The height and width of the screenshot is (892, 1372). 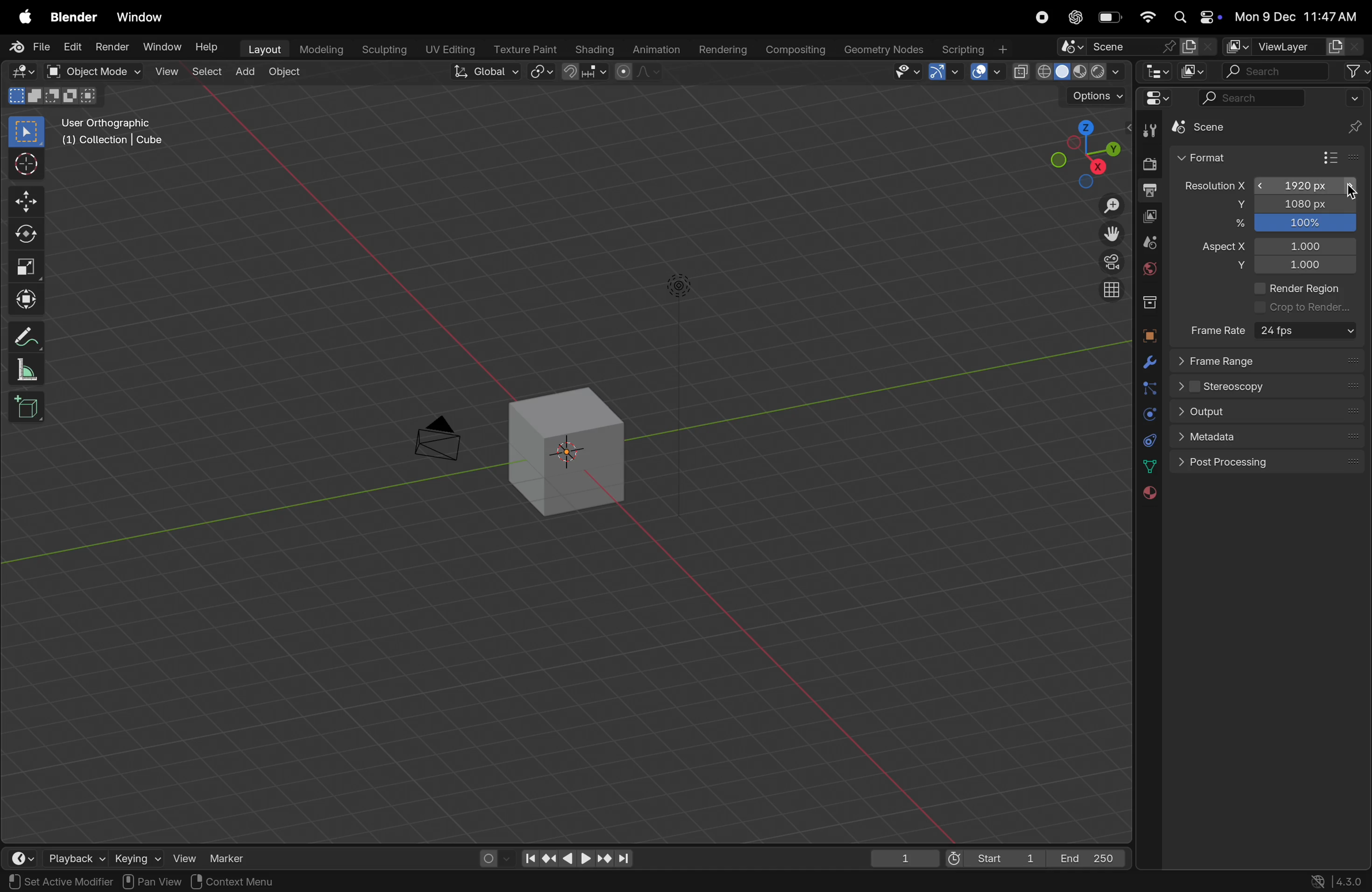 What do you see at coordinates (1149, 271) in the screenshot?
I see `world` at bounding box center [1149, 271].